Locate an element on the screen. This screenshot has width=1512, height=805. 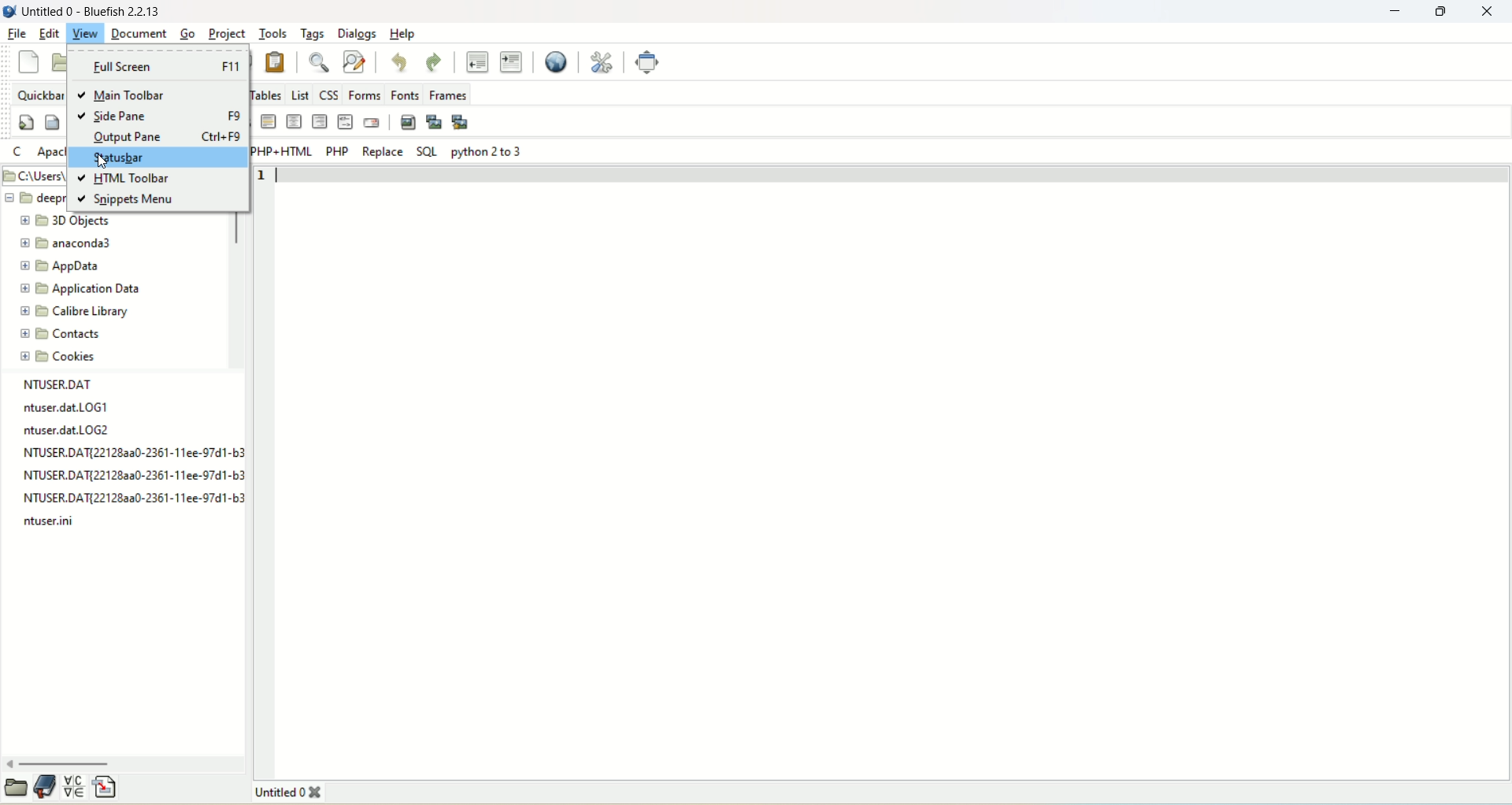
go is located at coordinates (186, 33).